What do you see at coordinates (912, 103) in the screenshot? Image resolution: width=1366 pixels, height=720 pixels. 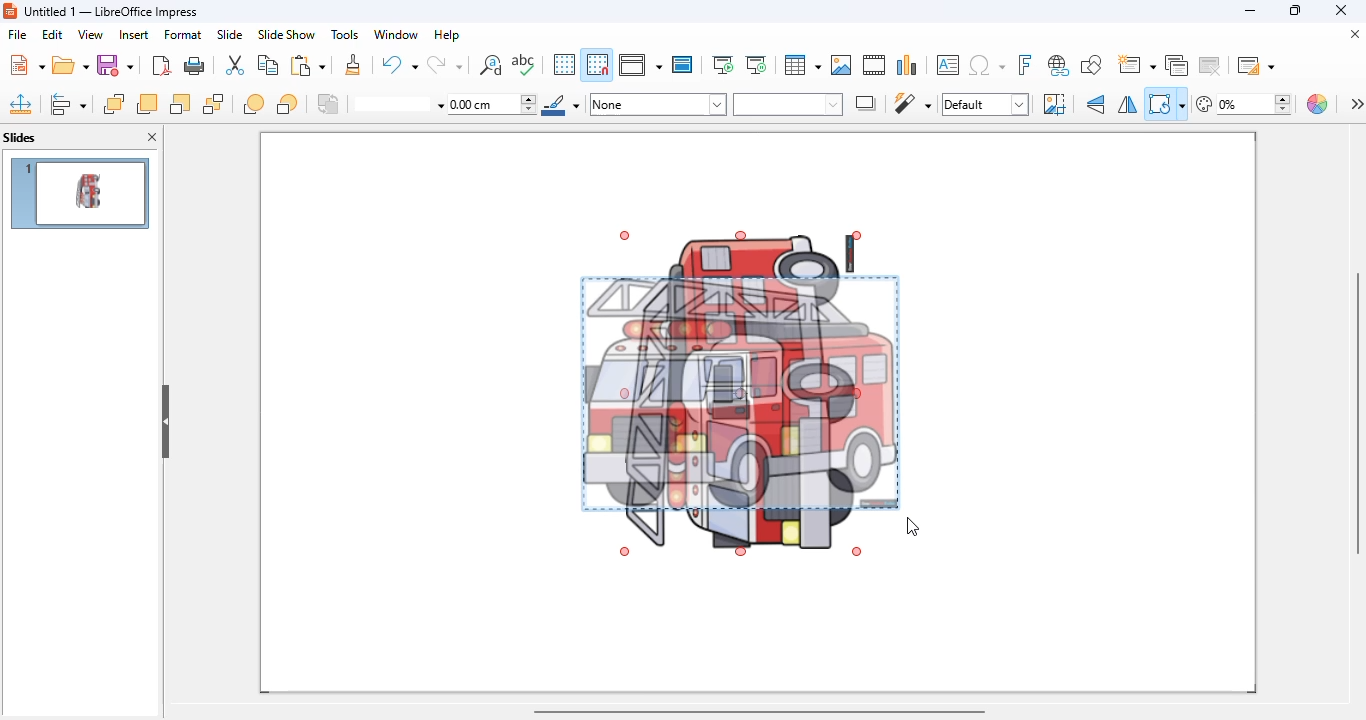 I see `filter` at bounding box center [912, 103].